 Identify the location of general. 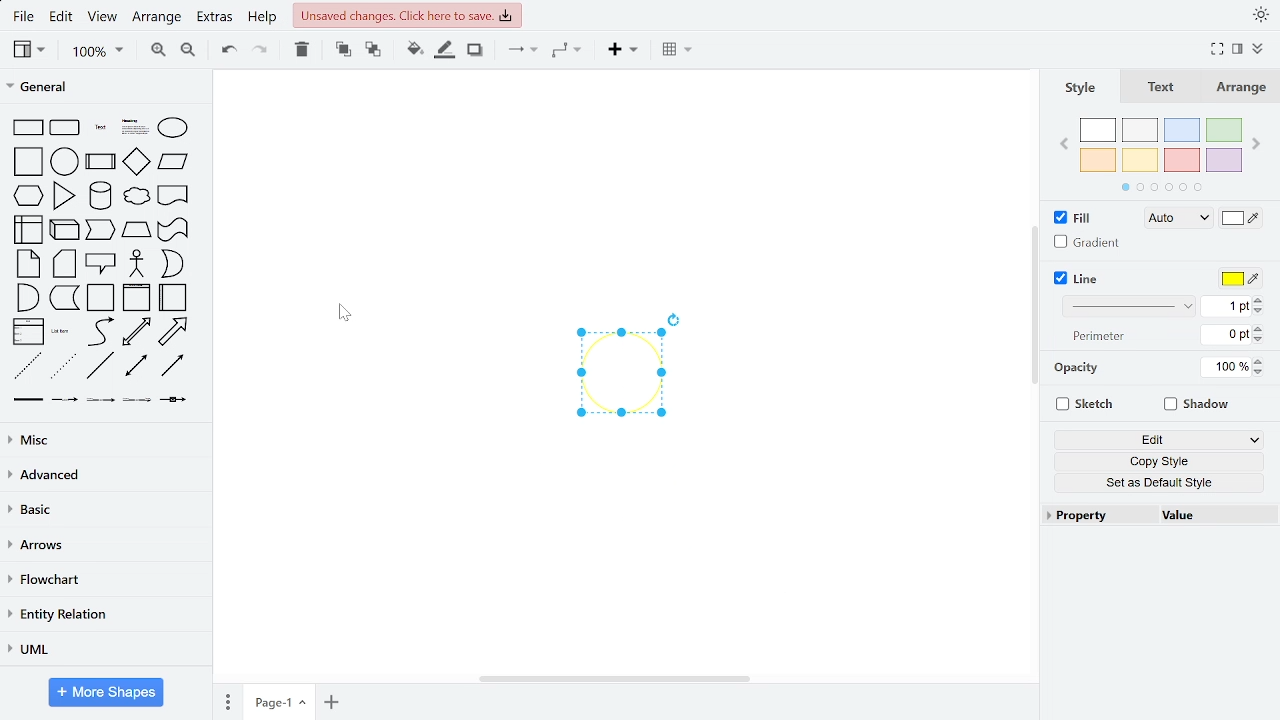
(104, 90).